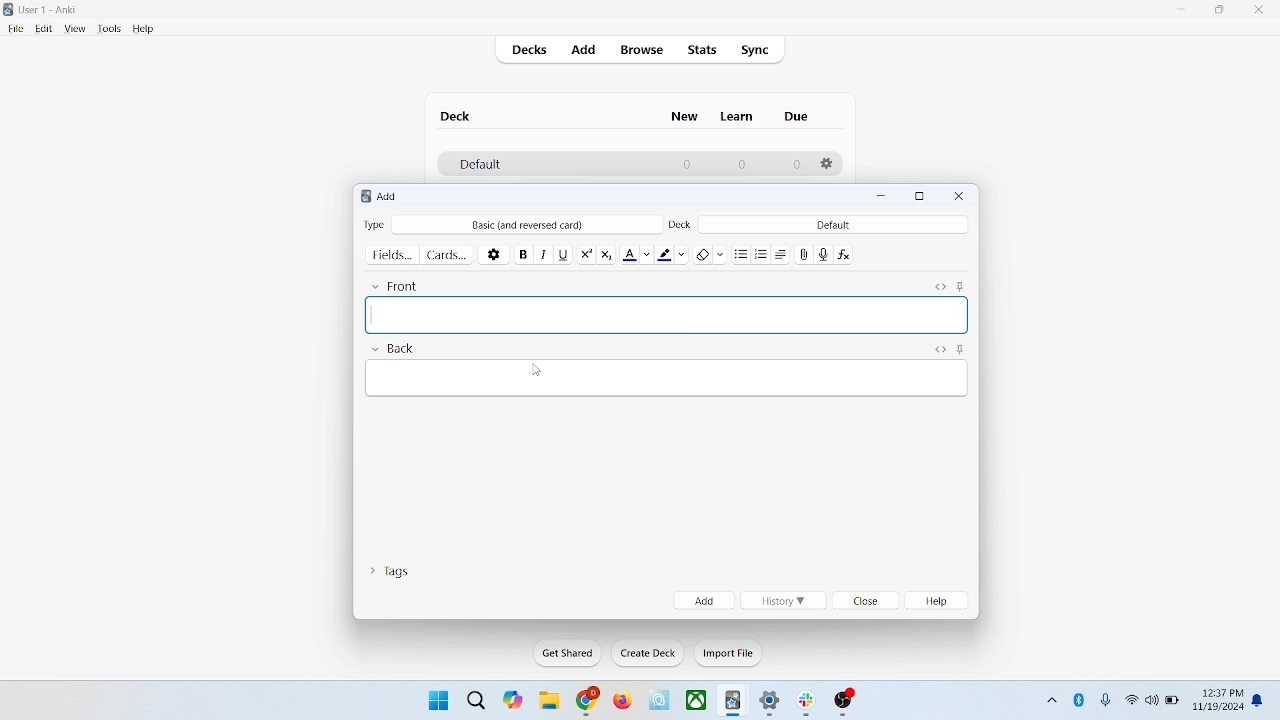 Image resolution: width=1280 pixels, height=720 pixels. I want to click on tags, so click(389, 569).